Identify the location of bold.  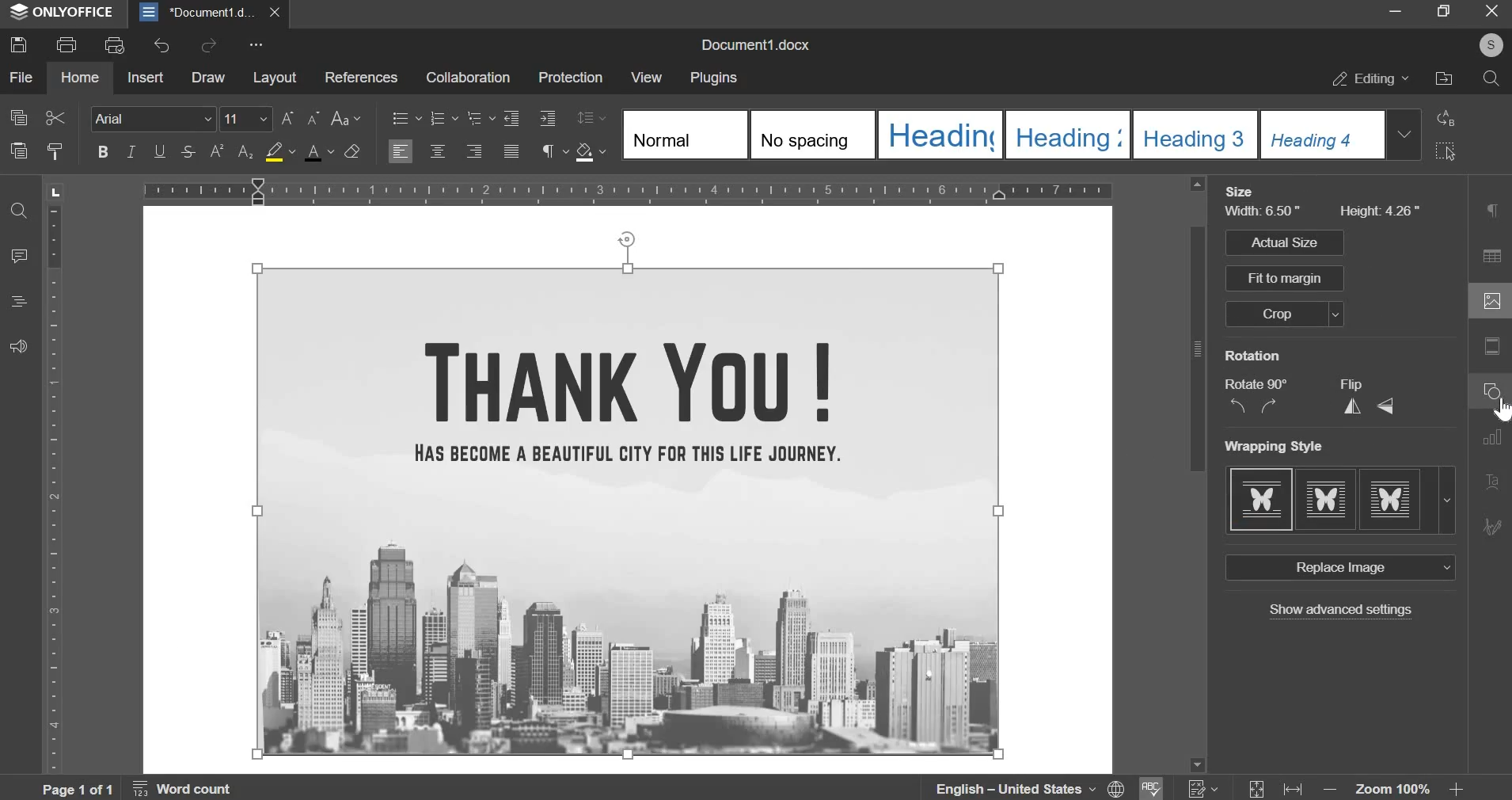
(102, 150).